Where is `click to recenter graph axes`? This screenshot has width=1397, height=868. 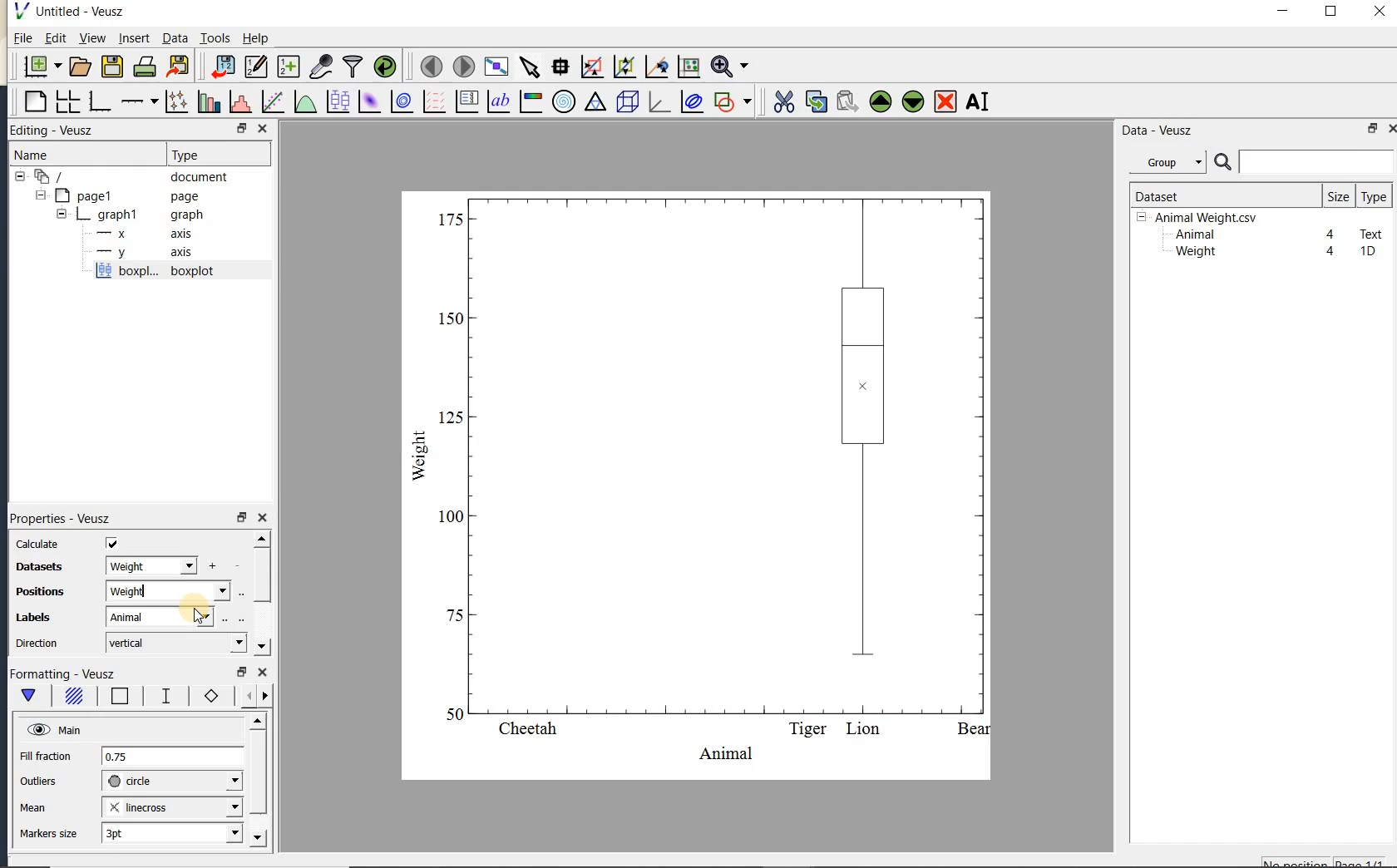 click to recenter graph axes is located at coordinates (657, 67).